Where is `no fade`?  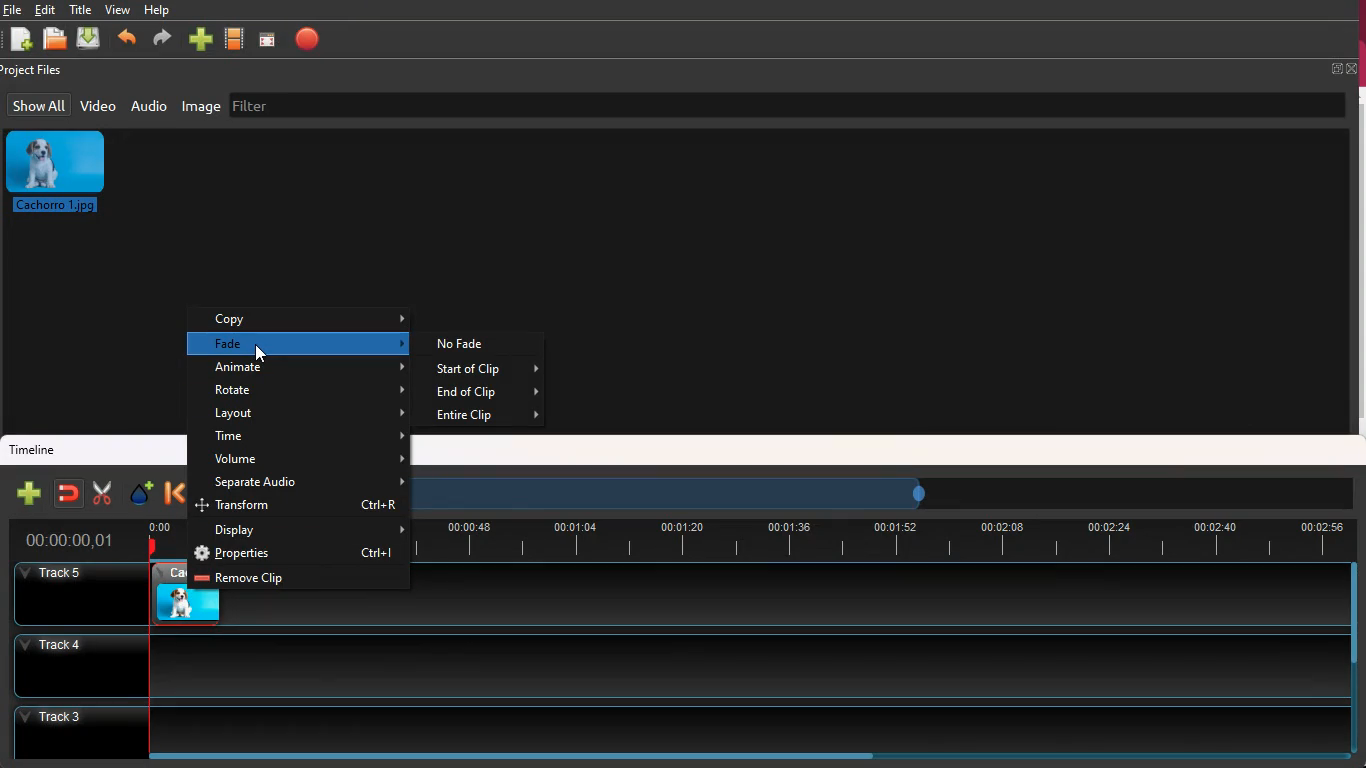
no fade is located at coordinates (474, 343).